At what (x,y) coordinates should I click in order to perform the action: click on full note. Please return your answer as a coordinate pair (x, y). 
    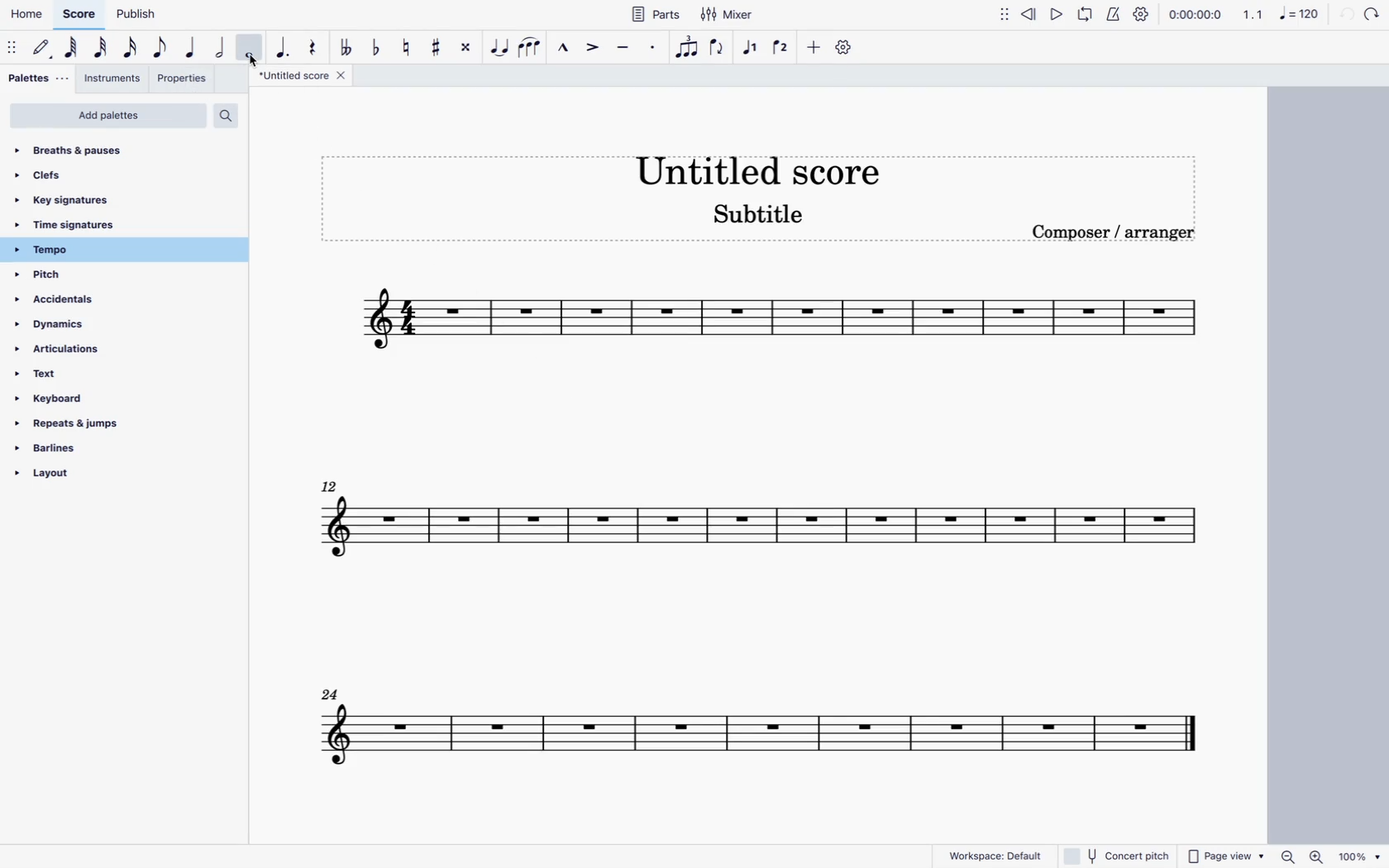
    Looking at the image, I should click on (250, 48).